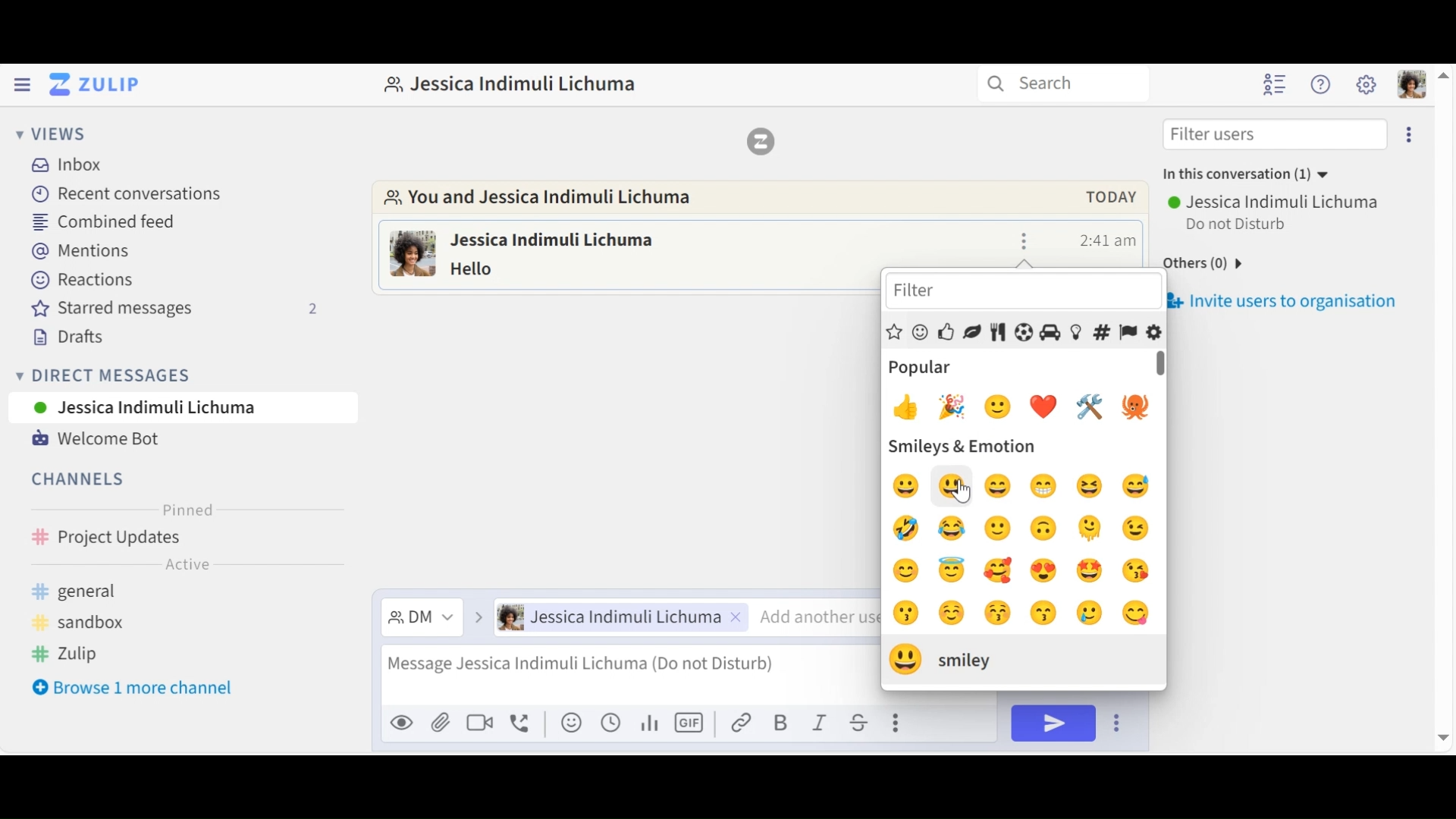  Describe the element at coordinates (1163, 364) in the screenshot. I see `Vertical Scroll bar` at that location.